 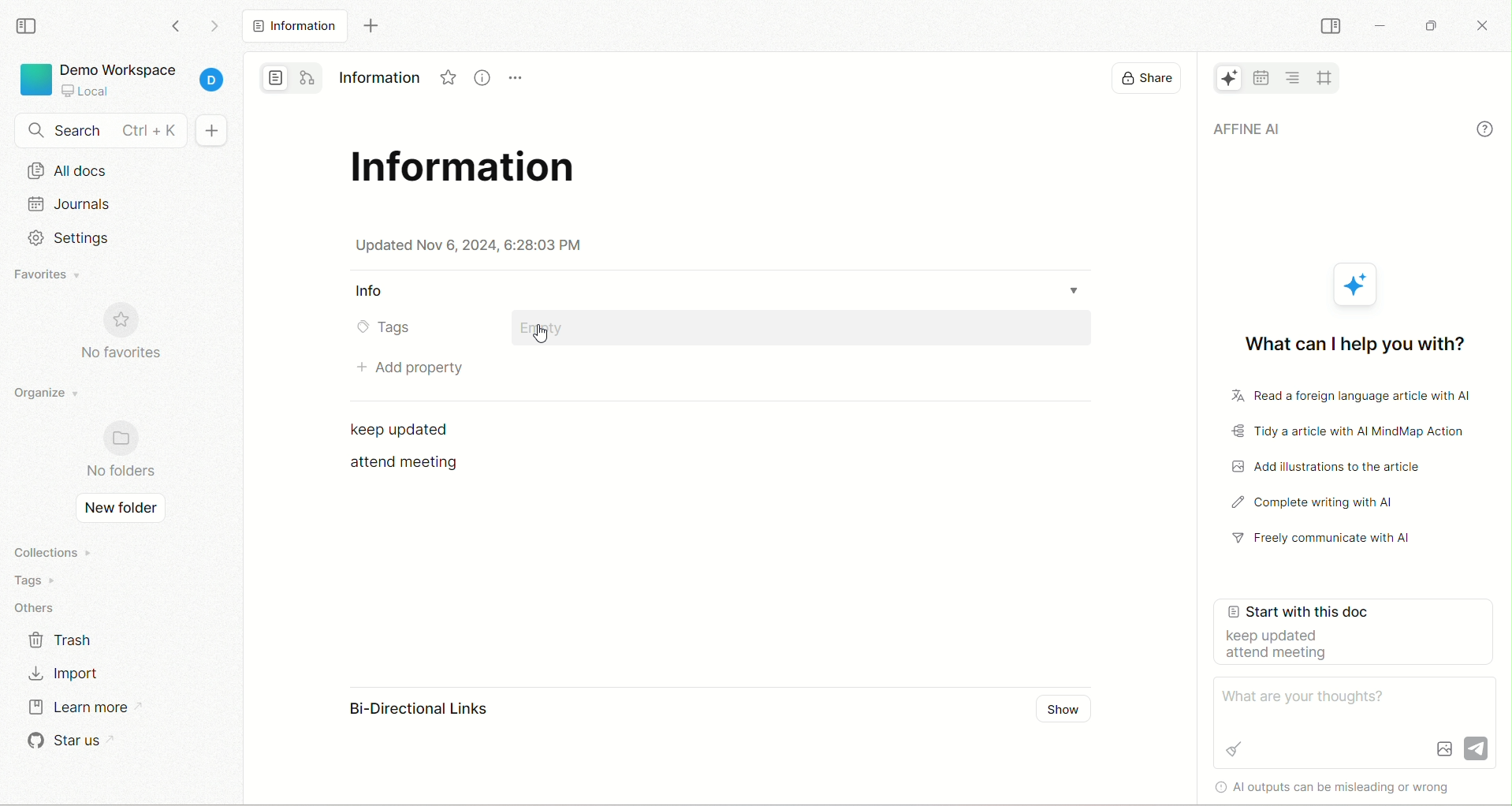 I want to click on AFFiNE AI, so click(x=1335, y=131).